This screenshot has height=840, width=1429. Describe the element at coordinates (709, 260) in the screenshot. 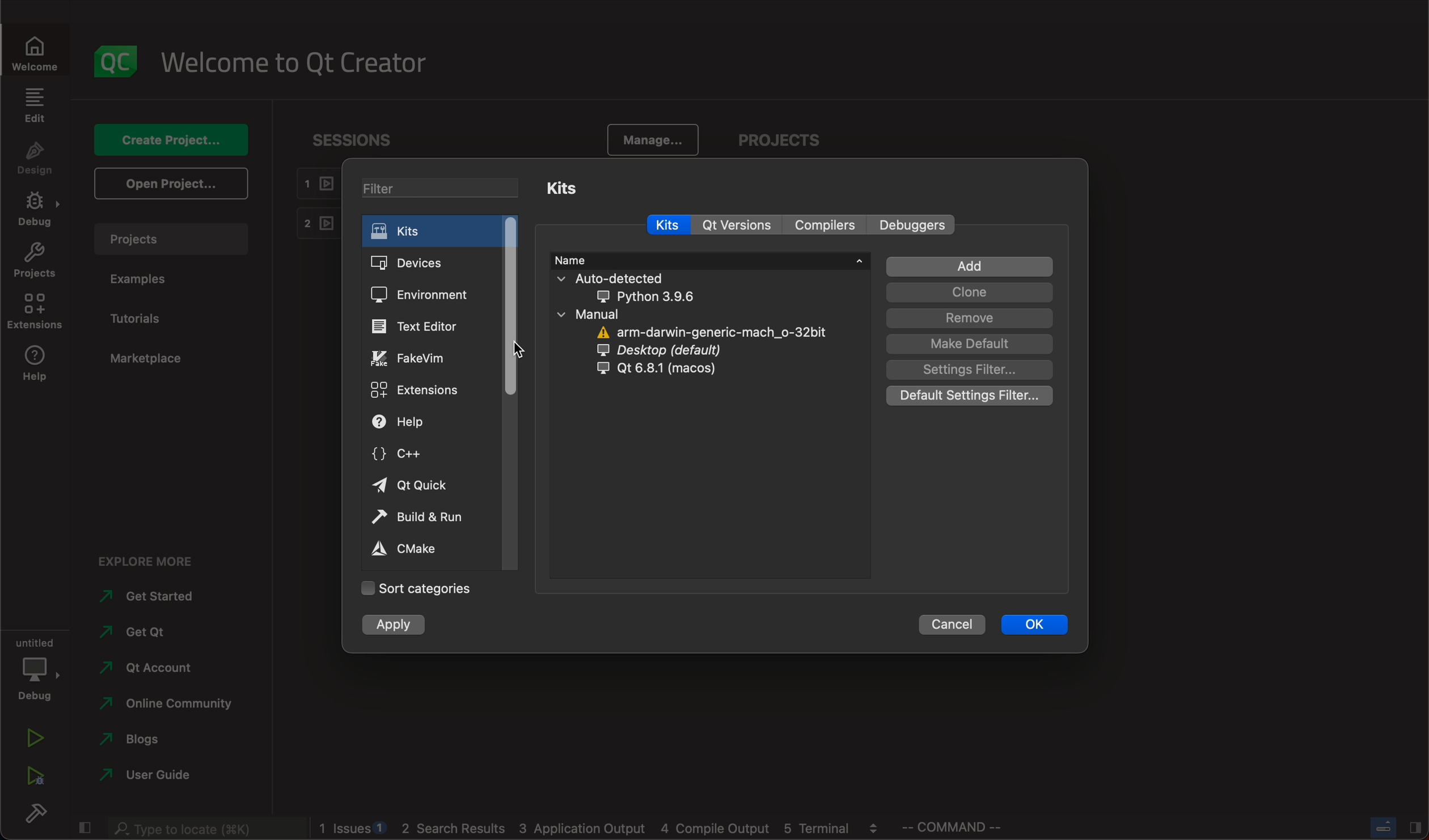

I see `name` at that location.